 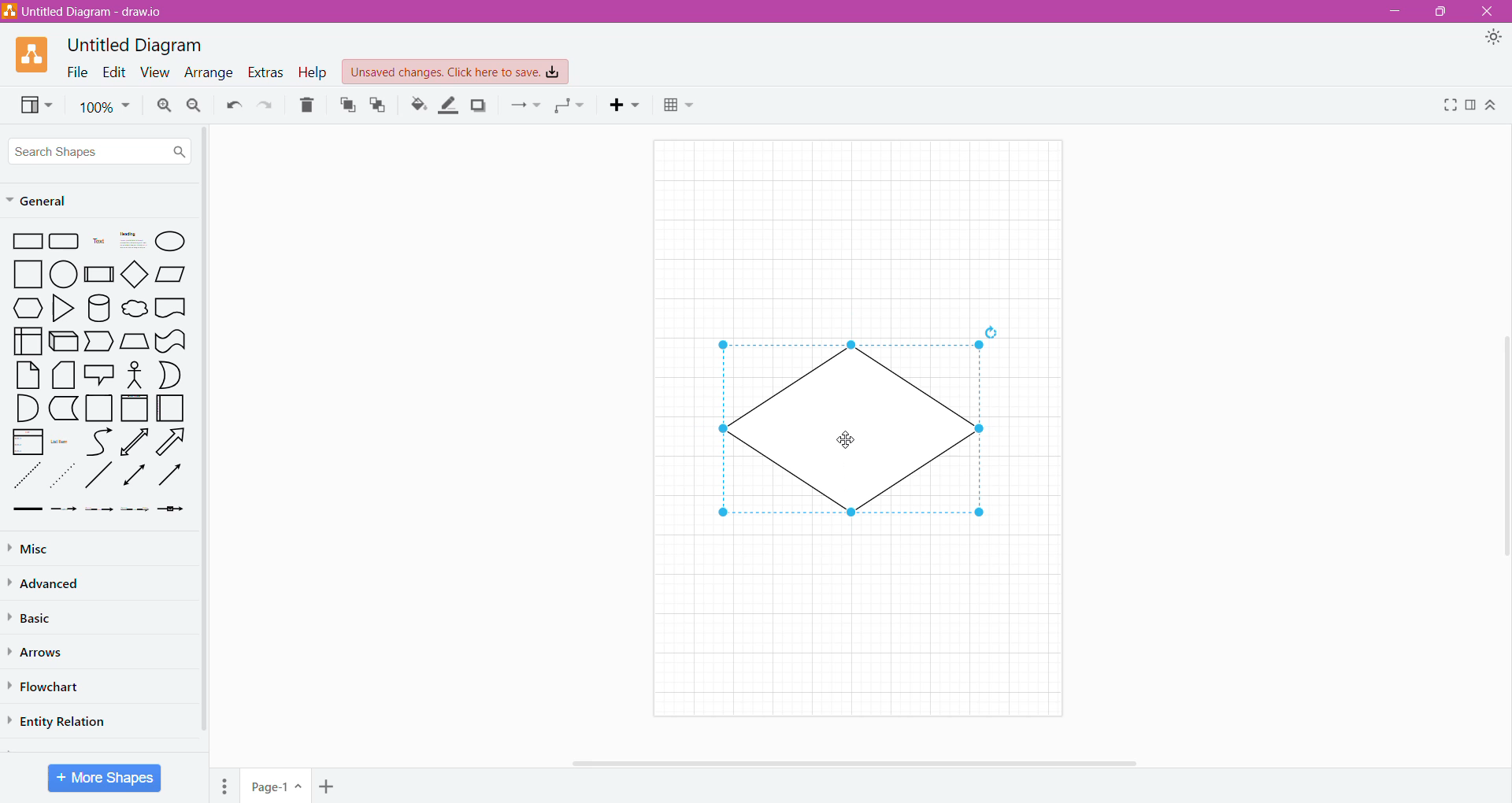 What do you see at coordinates (100, 408) in the screenshot?
I see `Container` at bounding box center [100, 408].